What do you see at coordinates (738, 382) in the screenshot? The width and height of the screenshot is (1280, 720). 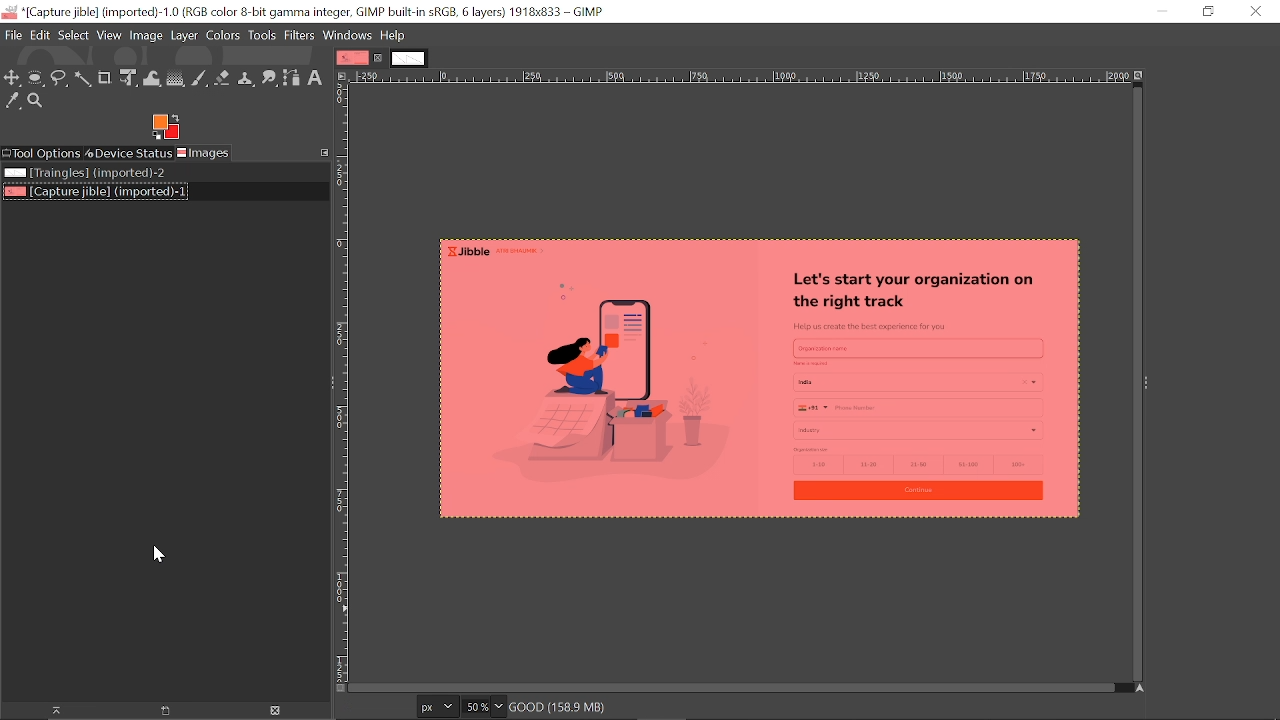 I see `"GOOD" Layer added` at bounding box center [738, 382].